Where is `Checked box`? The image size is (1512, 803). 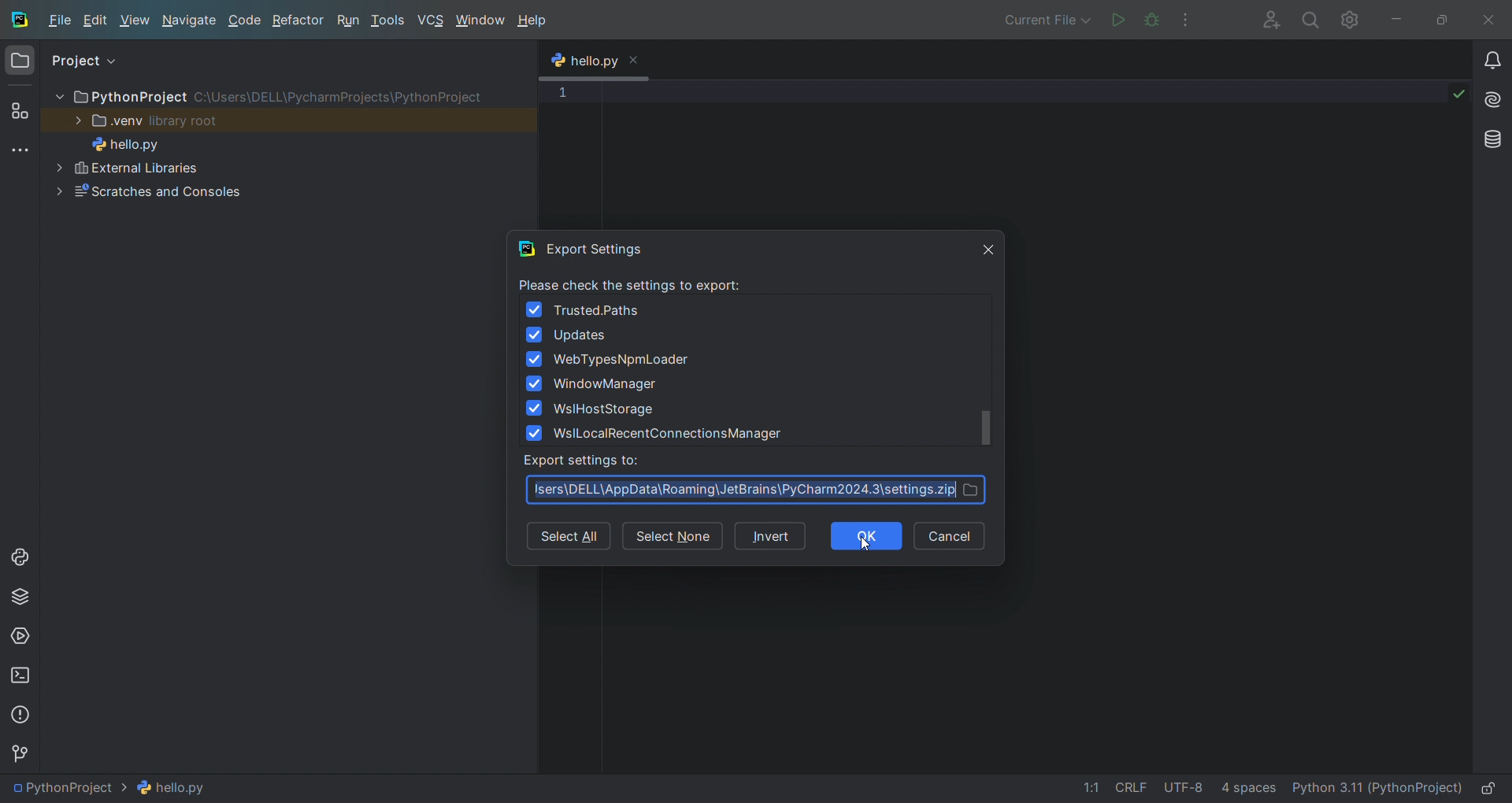
Checked box is located at coordinates (533, 408).